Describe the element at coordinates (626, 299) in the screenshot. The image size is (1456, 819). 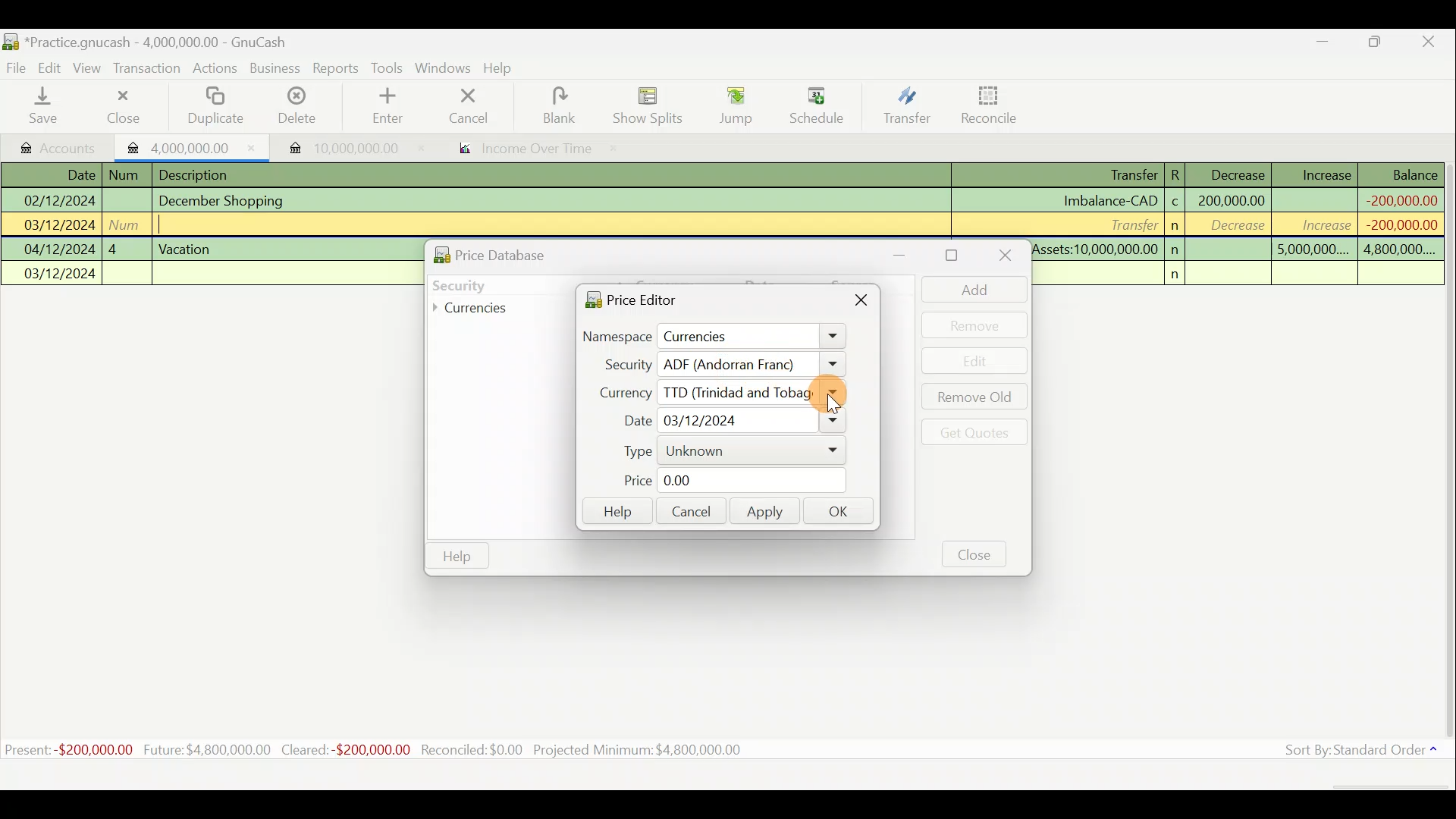
I see `Price editor` at that location.